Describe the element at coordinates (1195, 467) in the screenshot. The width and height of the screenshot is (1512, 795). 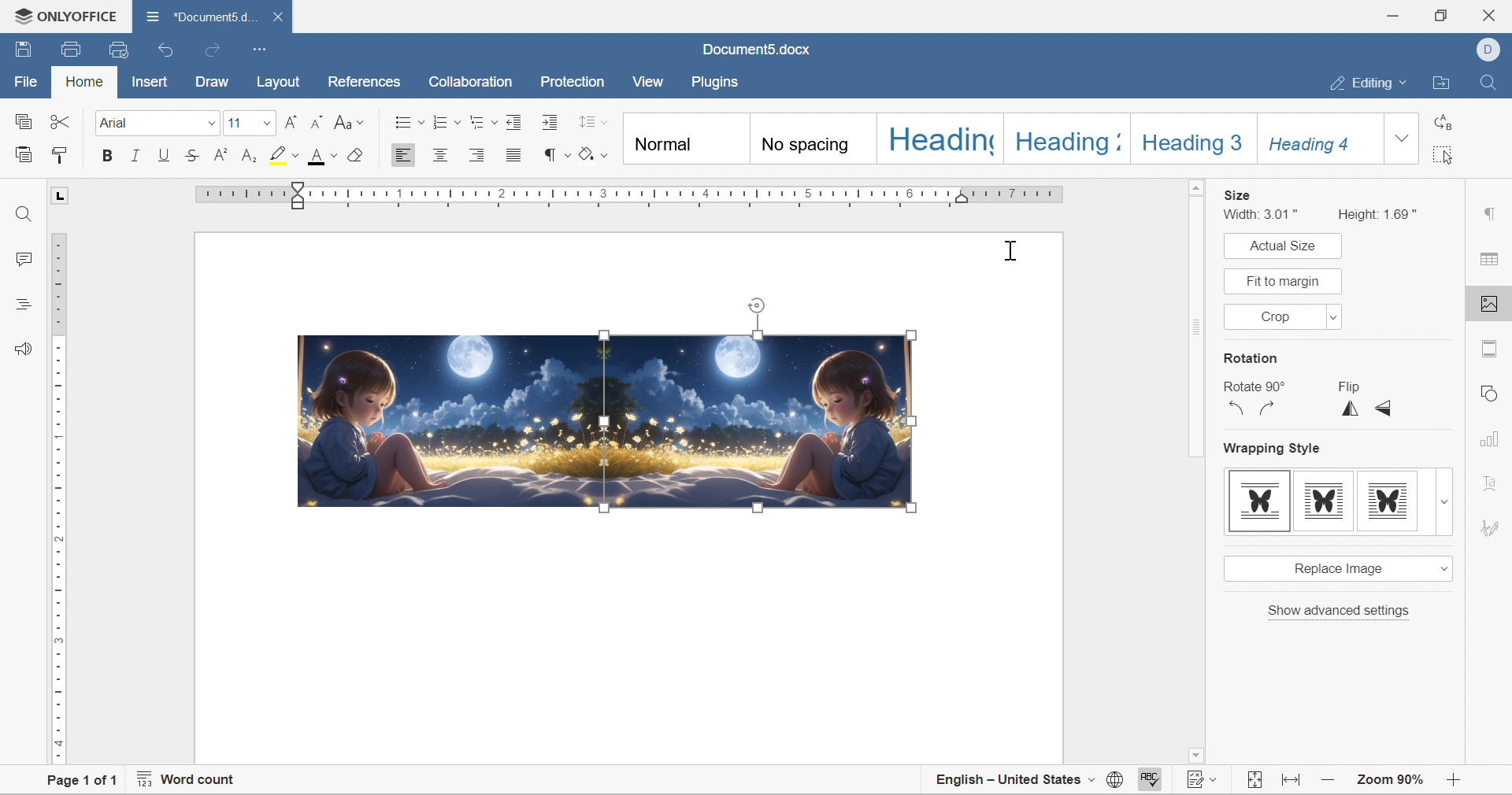
I see `scroll bar` at that location.